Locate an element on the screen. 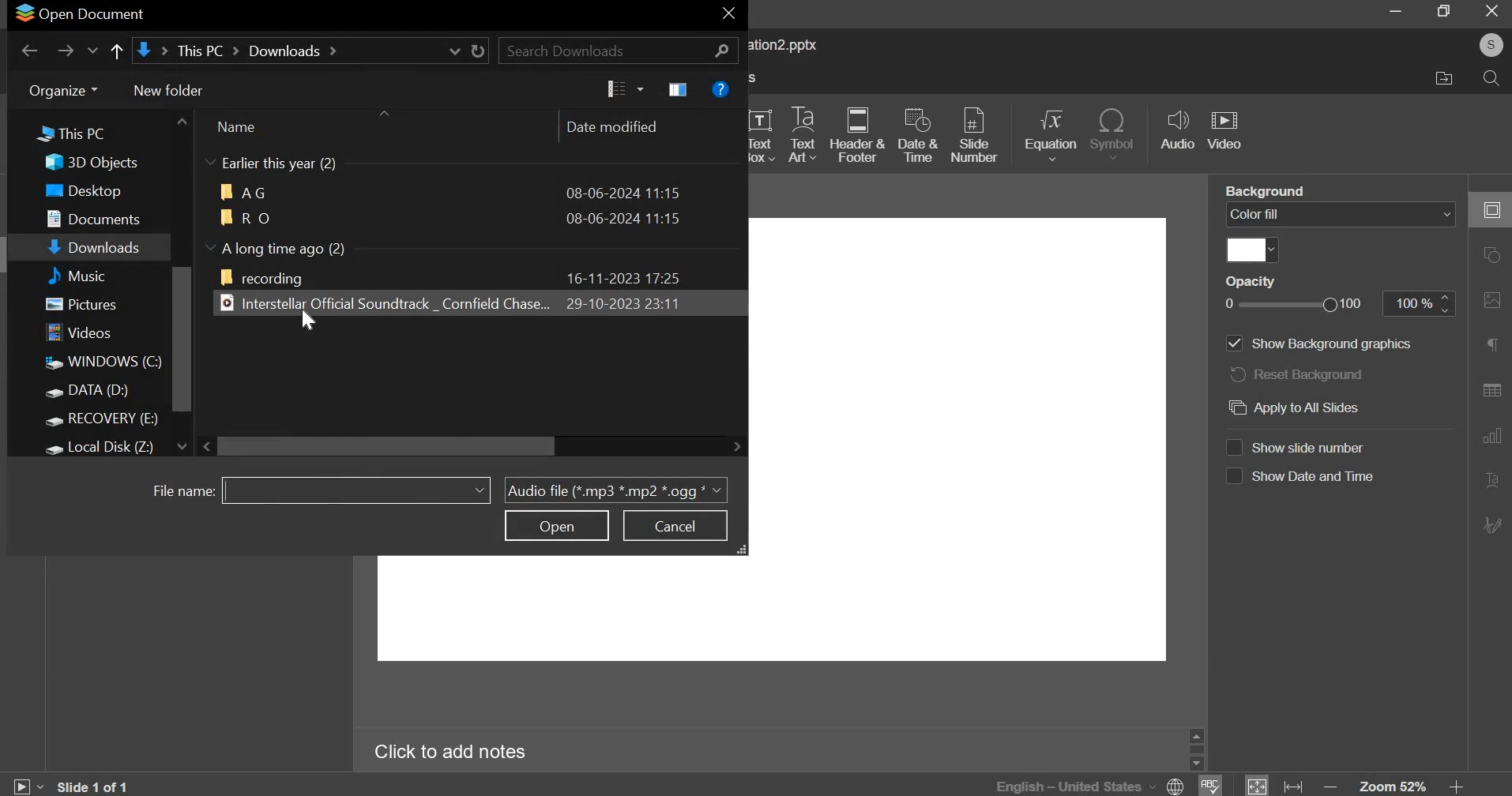  show/hide is located at coordinates (210, 246).